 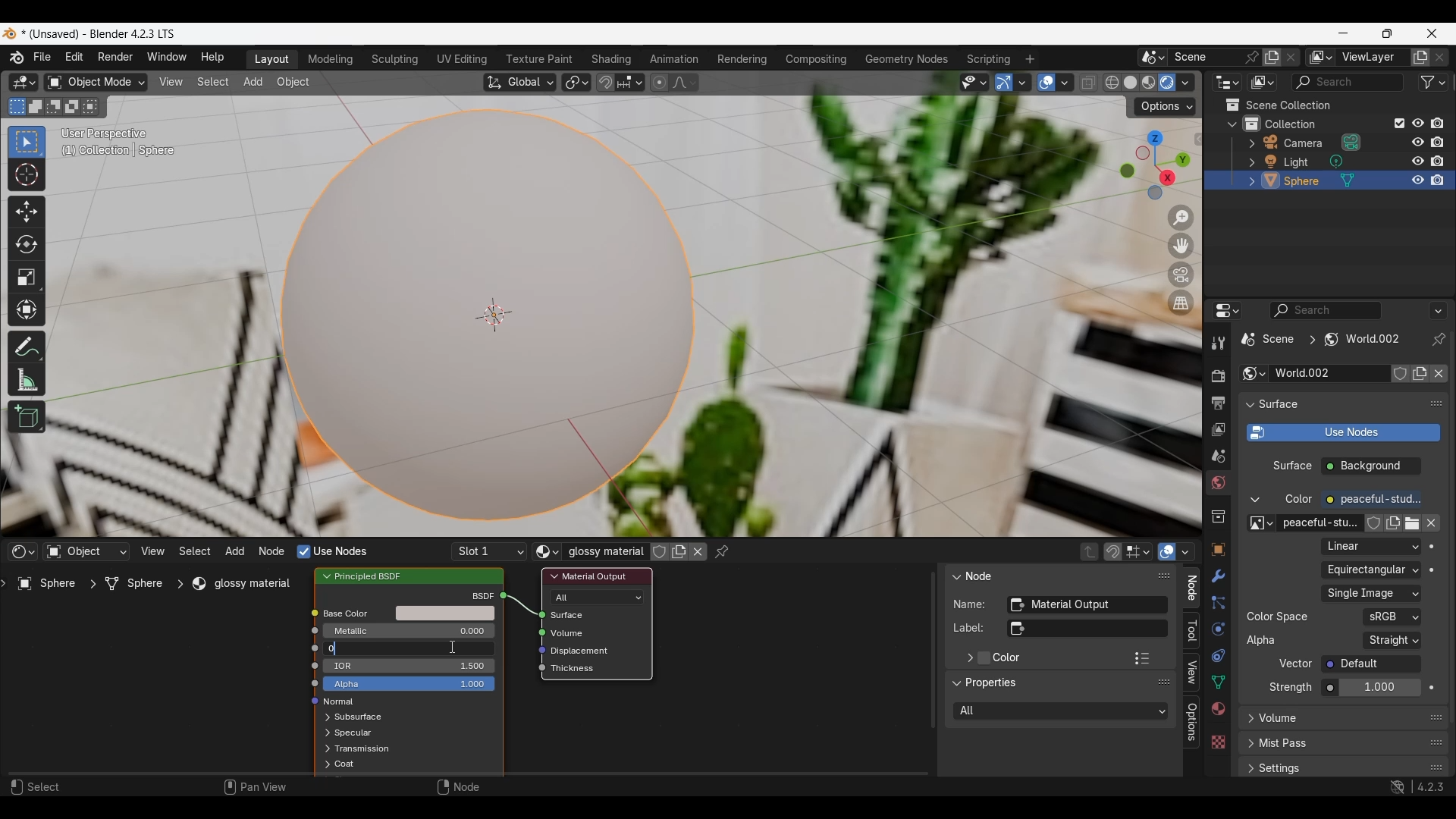 I want to click on icon, so click(x=315, y=631).